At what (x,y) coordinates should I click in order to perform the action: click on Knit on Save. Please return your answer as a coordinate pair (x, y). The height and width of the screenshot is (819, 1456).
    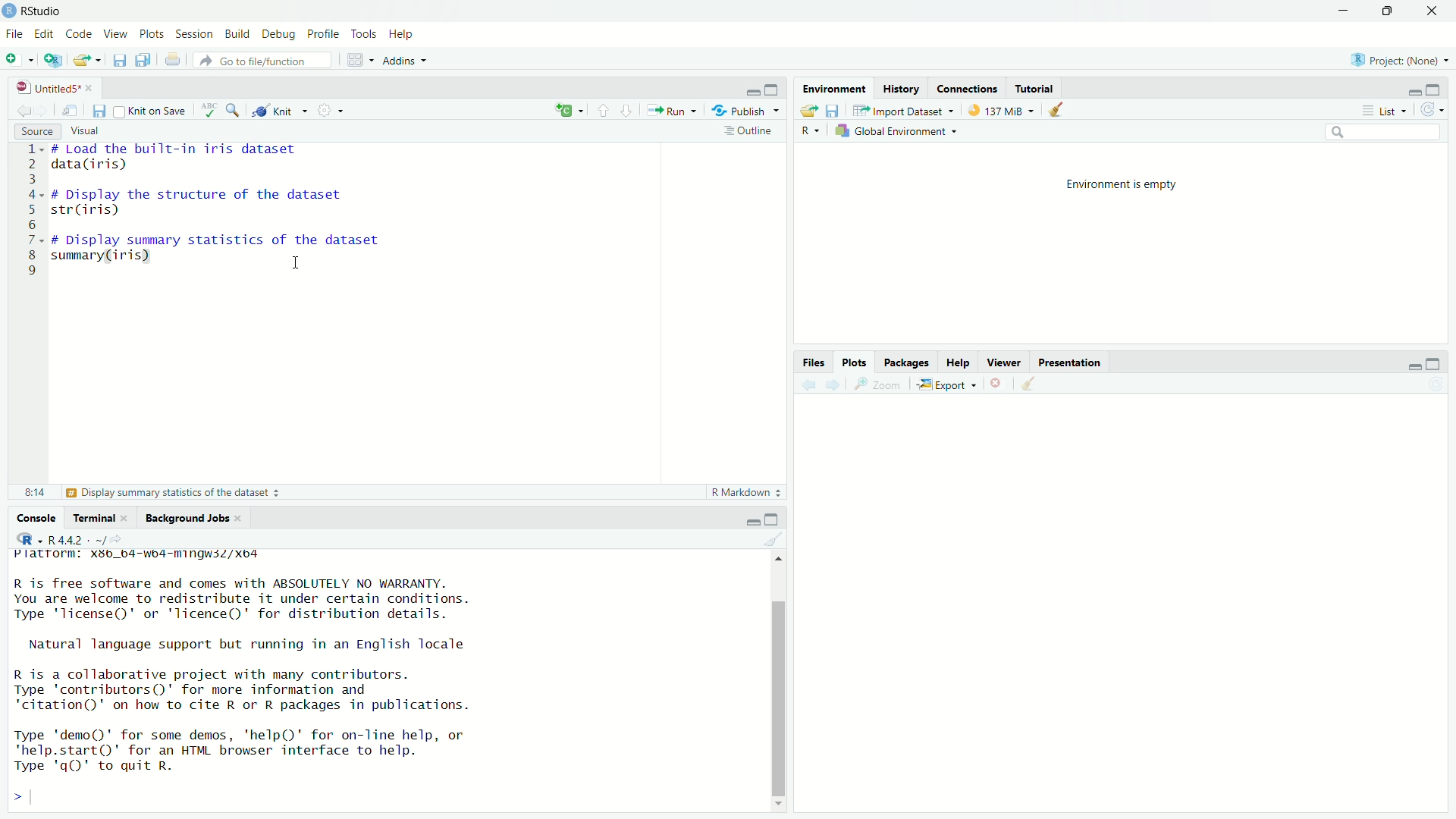
    Looking at the image, I should click on (150, 111).